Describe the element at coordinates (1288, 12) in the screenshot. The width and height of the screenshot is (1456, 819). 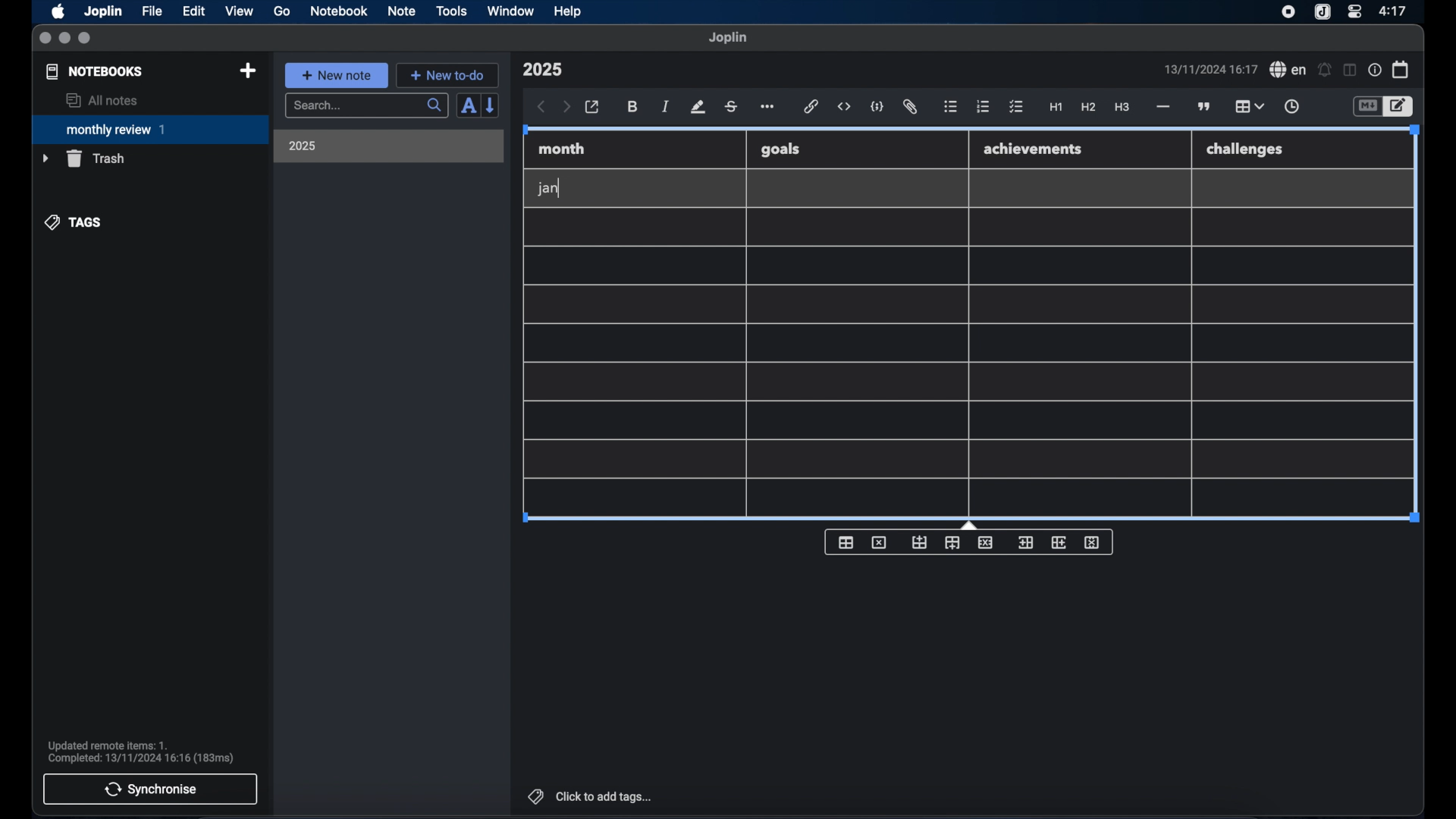
I see `screen recorder icon` at that location.